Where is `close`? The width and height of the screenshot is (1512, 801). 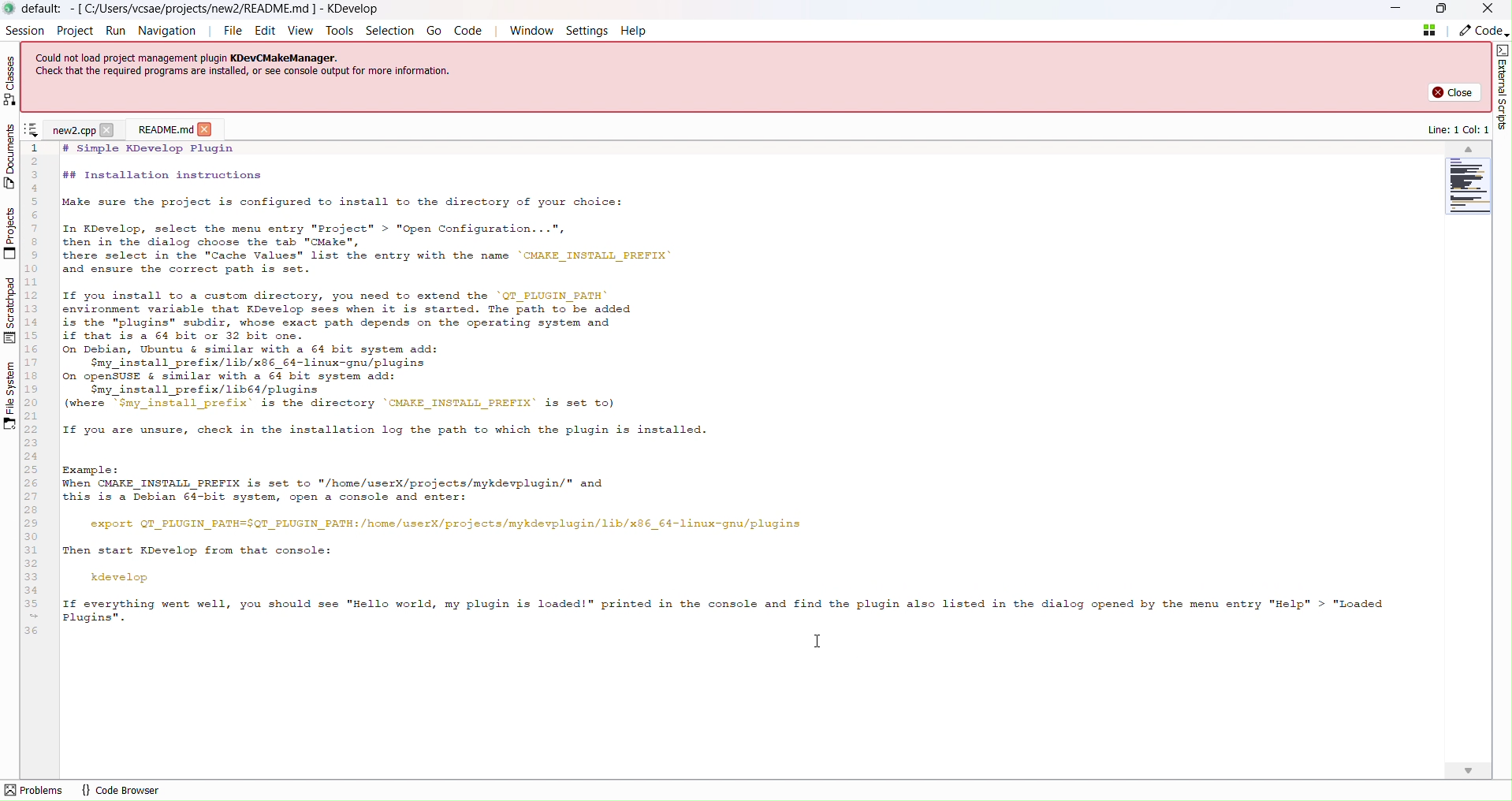 close is located at coordinates (1455, 91).